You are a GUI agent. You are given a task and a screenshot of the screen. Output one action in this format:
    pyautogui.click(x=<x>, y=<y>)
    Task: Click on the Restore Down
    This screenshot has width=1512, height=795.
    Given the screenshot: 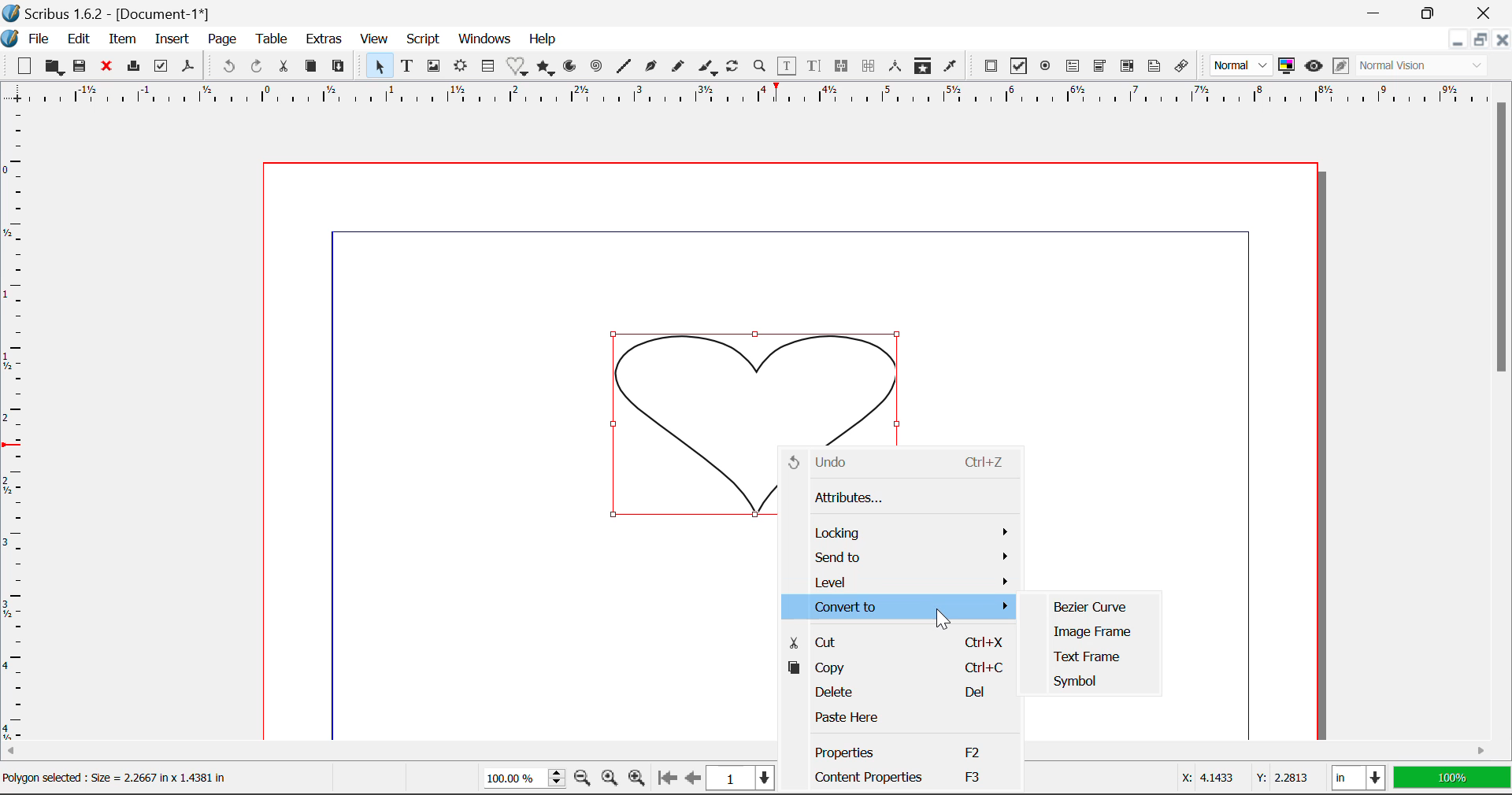 What is the action you would take?
    pyautogui.click(x=1378, y=12)
    